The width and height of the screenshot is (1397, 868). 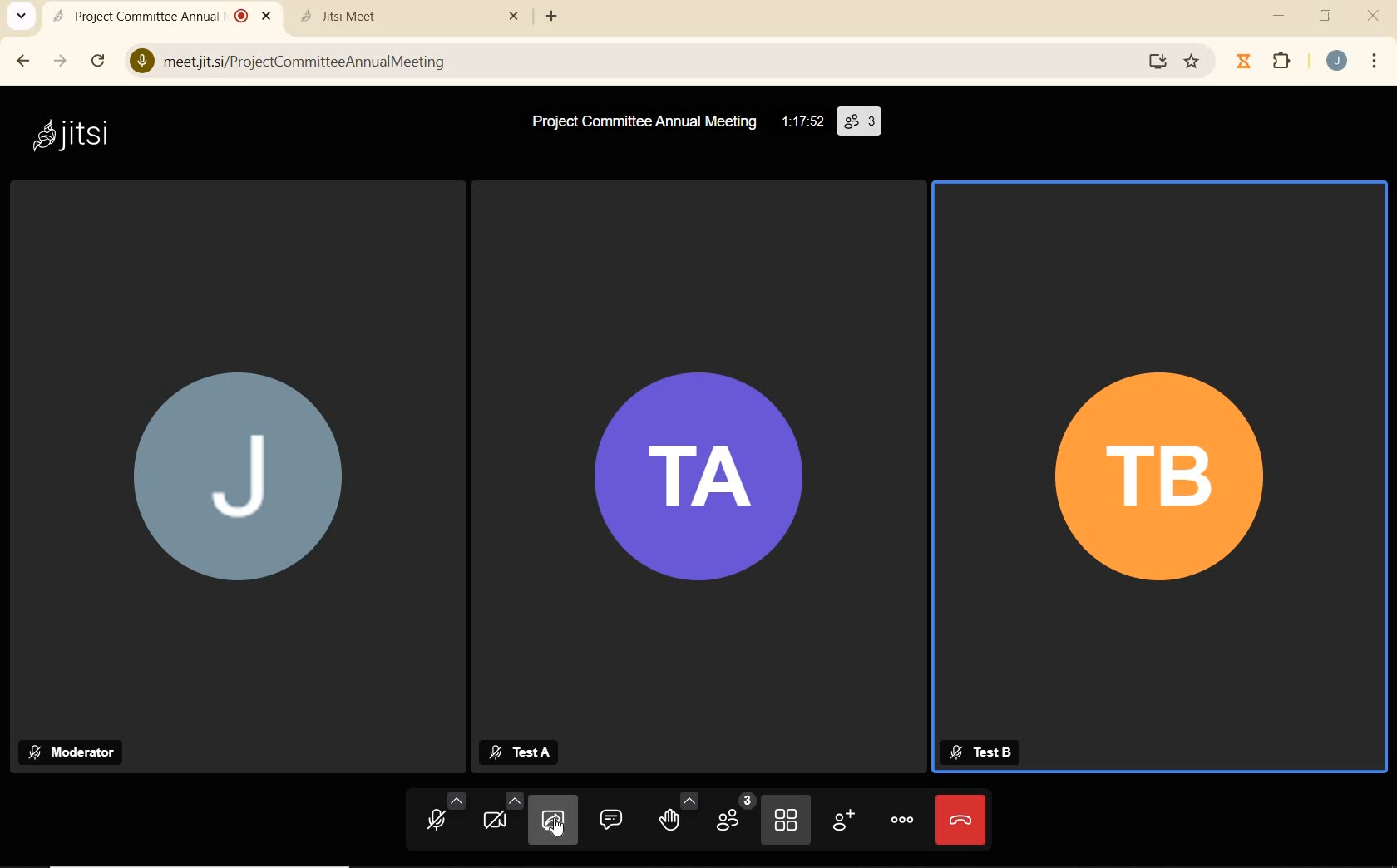 What do you see at coordinates (22, 61) in the screenshot?
I see `BACK` at bounding box center [22, 61].